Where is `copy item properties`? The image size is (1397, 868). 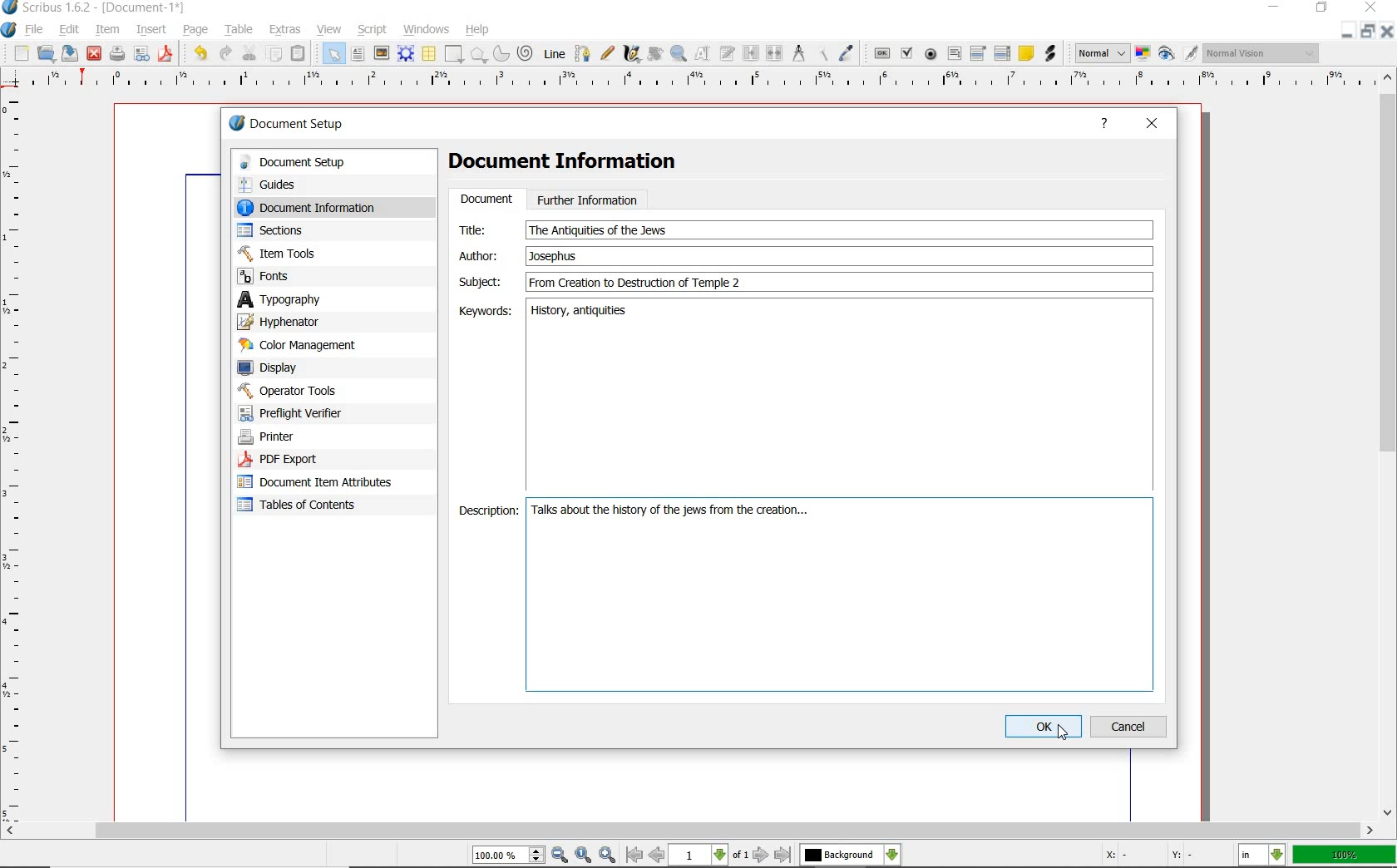
copy item properties is located at coordinates (821, 54).